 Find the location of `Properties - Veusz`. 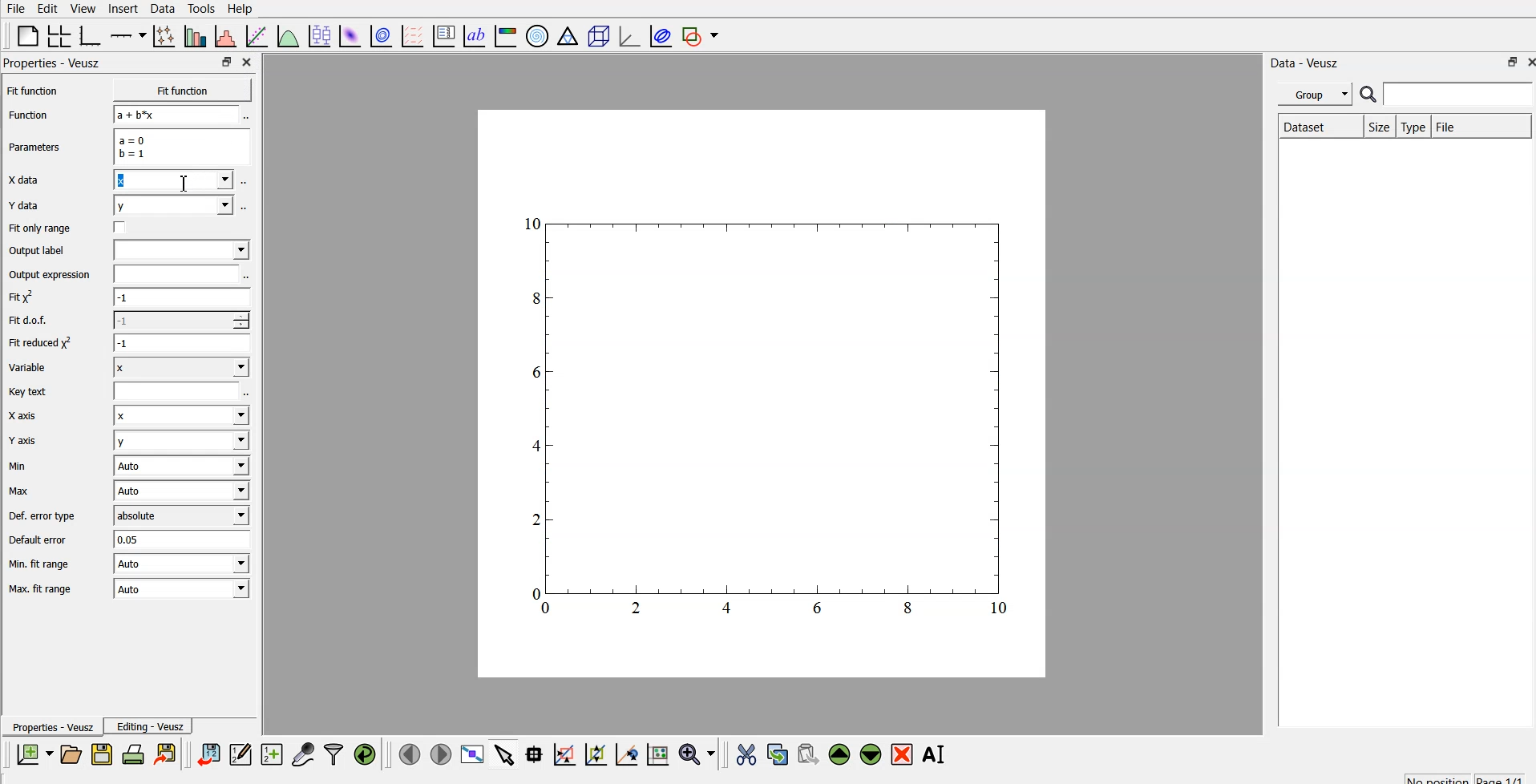

Properties - Veusz is located at coordinates (55, 64).